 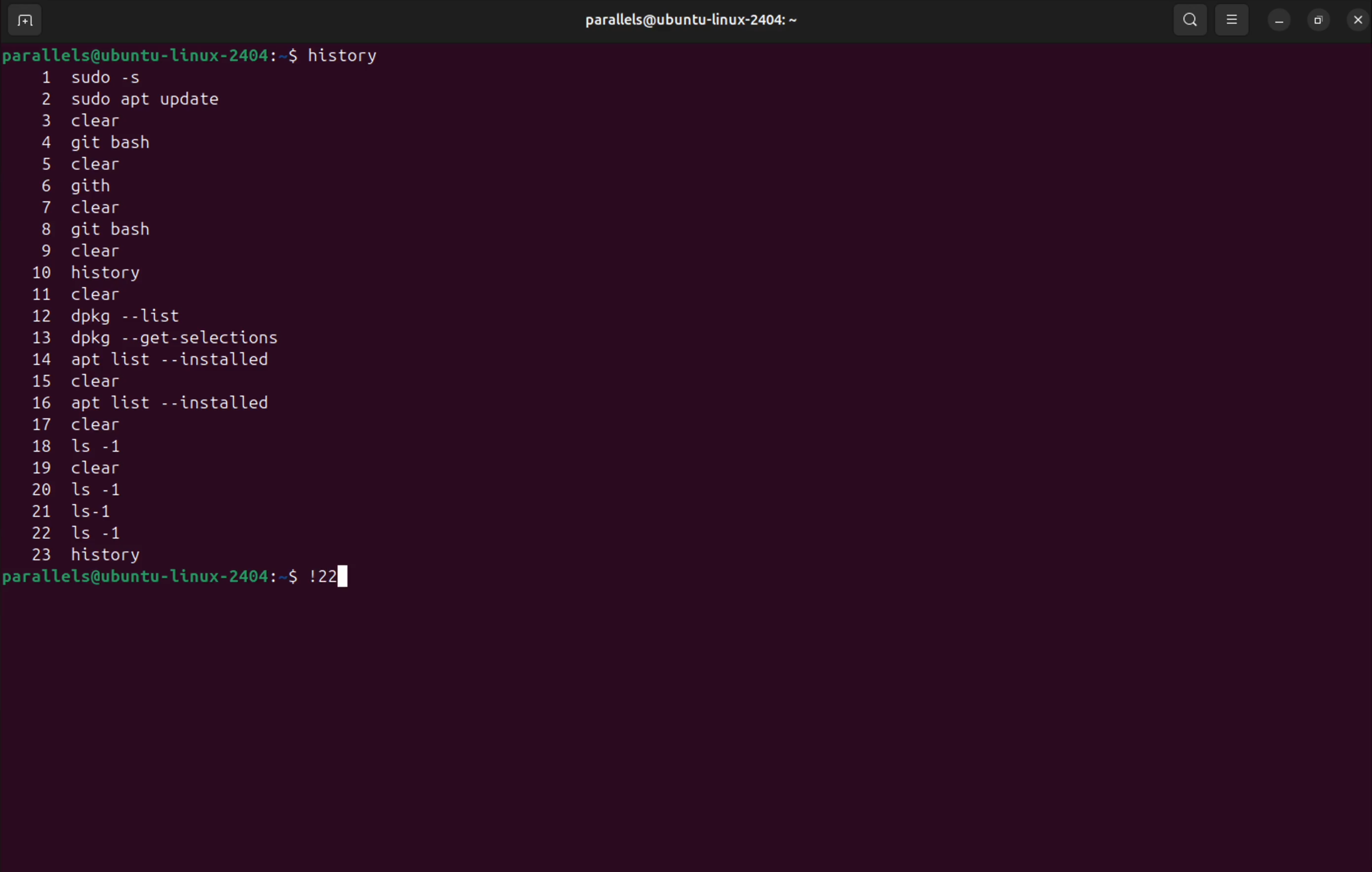 What do you see at coordinates (89, 512) in the screenshot?
I see `21 ls -1` at bounding box center [89, 512].